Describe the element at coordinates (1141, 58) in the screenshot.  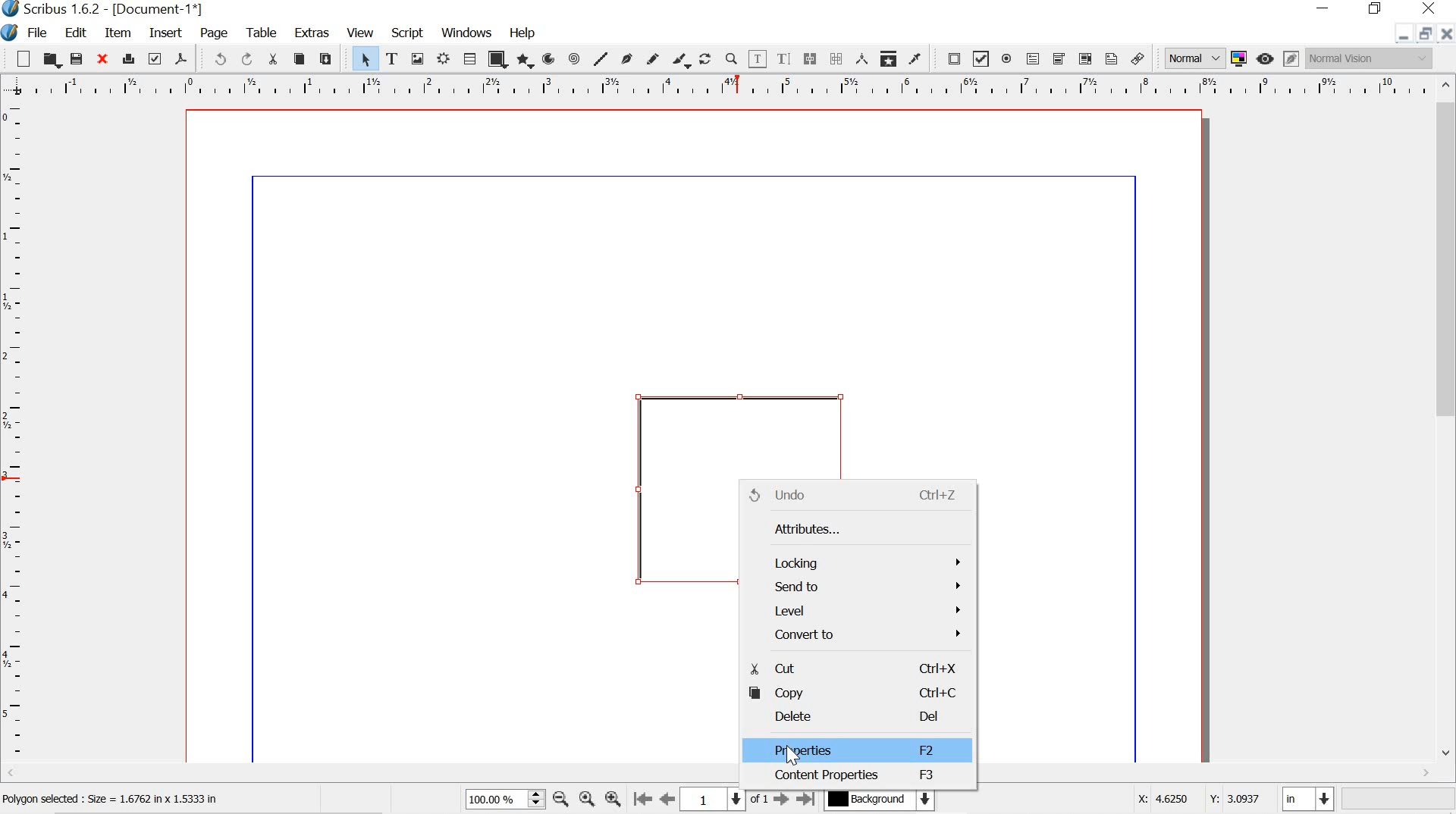
I see `link annotation` at that location.